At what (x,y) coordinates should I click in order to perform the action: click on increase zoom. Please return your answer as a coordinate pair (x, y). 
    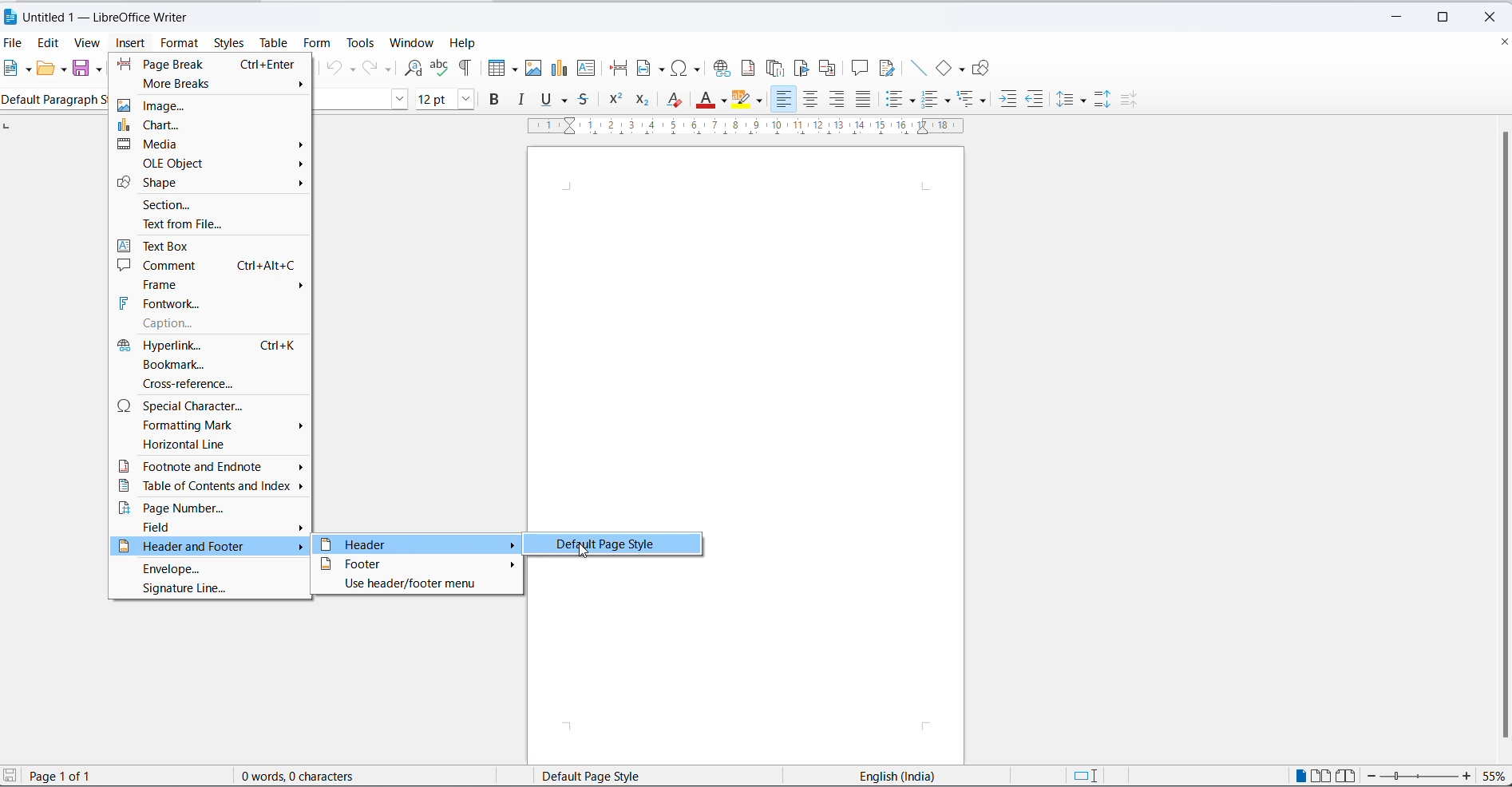
    Looking at the image, I should click on (1467, 777).